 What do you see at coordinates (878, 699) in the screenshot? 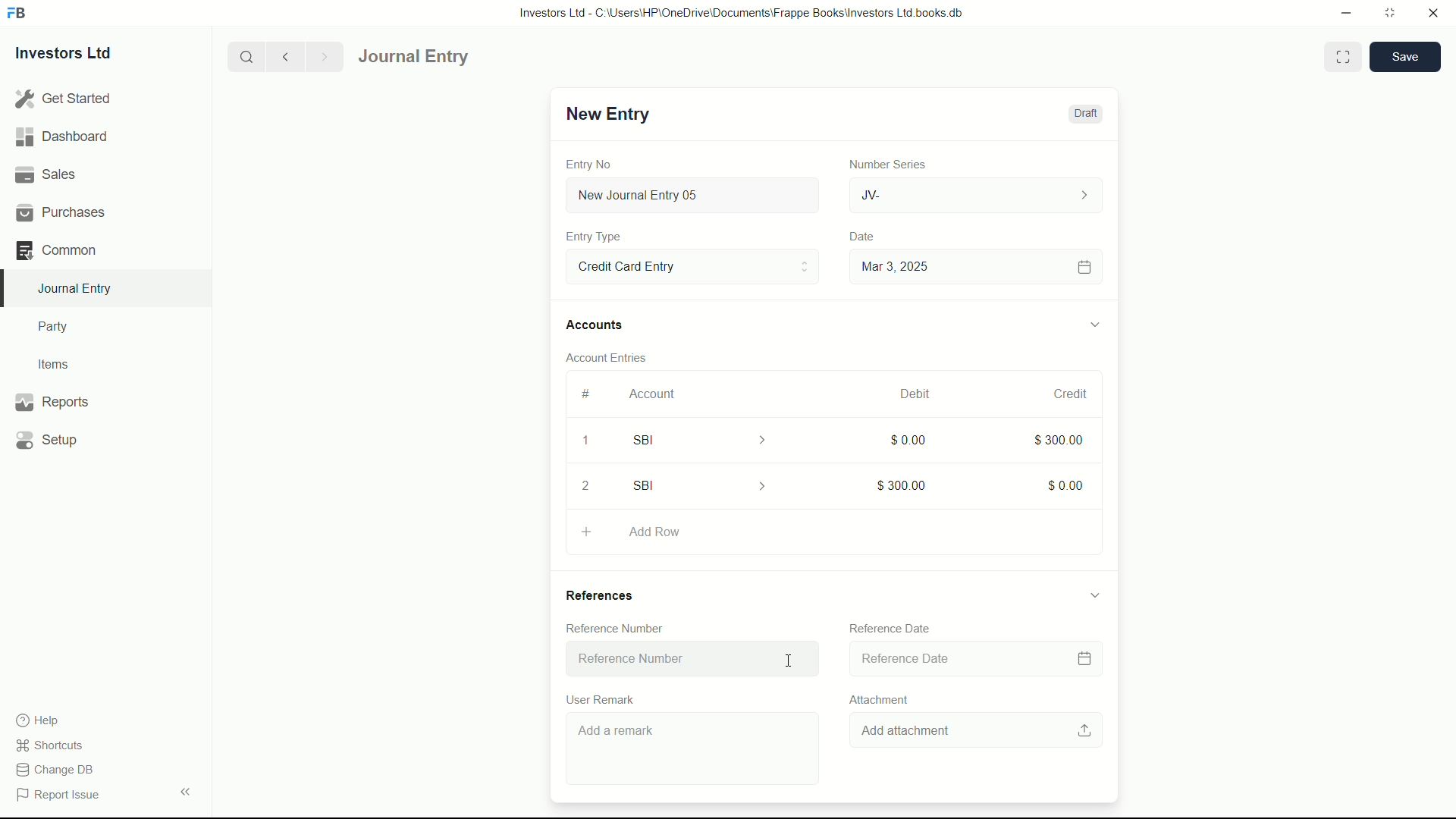
I see `Attachment` at bounding box center [878, 699].